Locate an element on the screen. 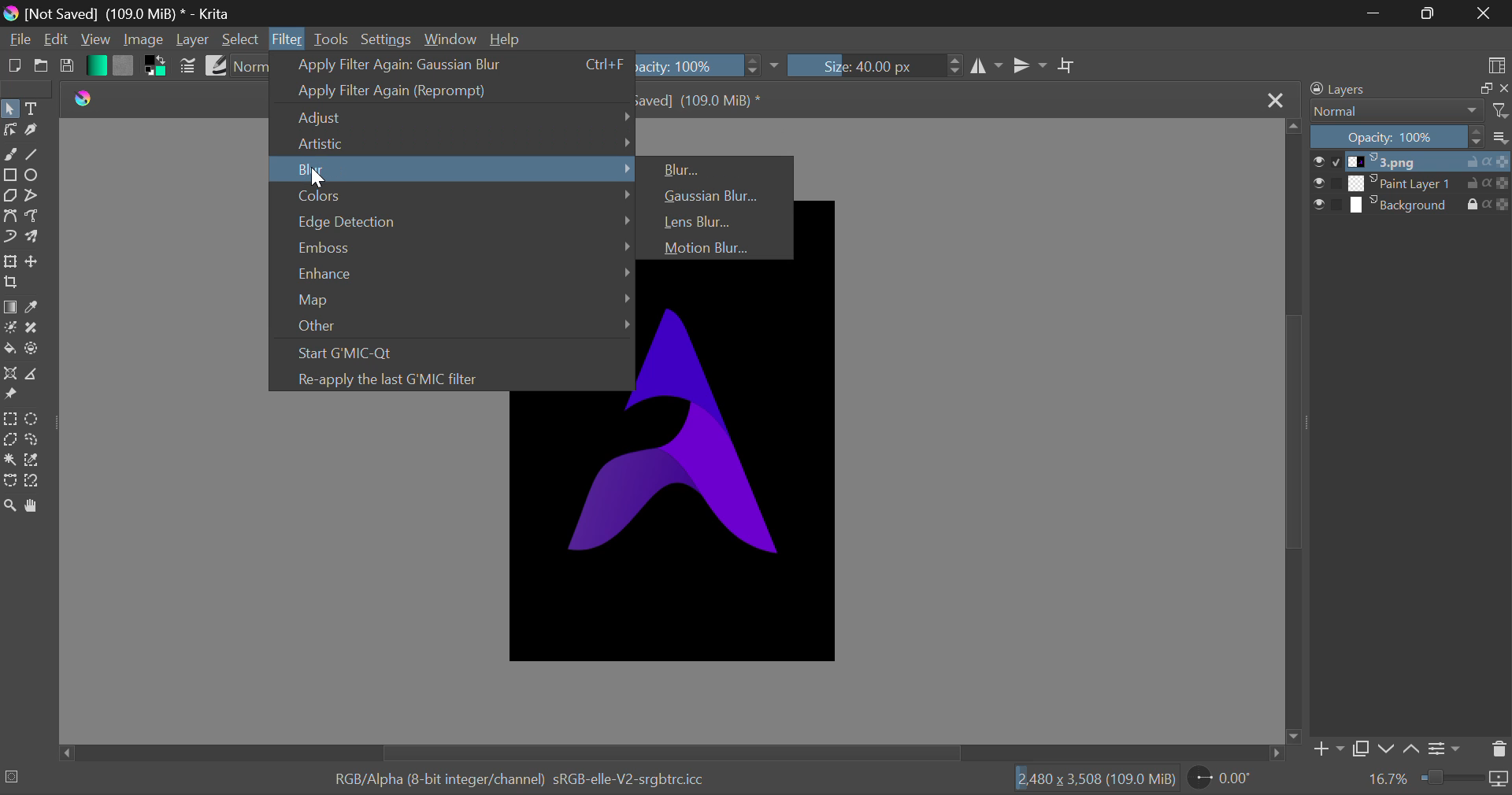 The height and width of the screenshot is (795, 1512). increase or decrease opacity is located at coordinates (754, 66).